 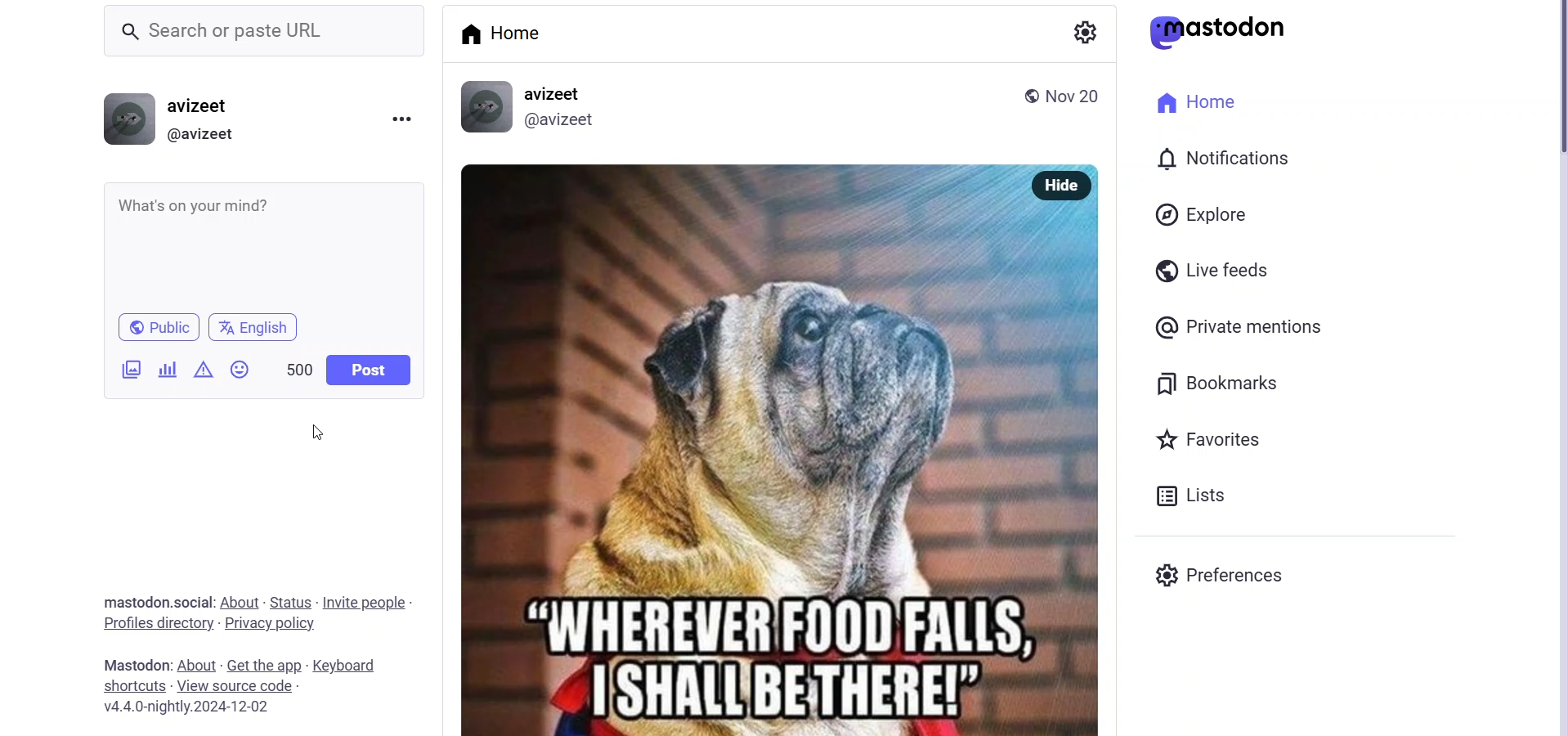 I want to click on @username, so click(x=207, y=135).